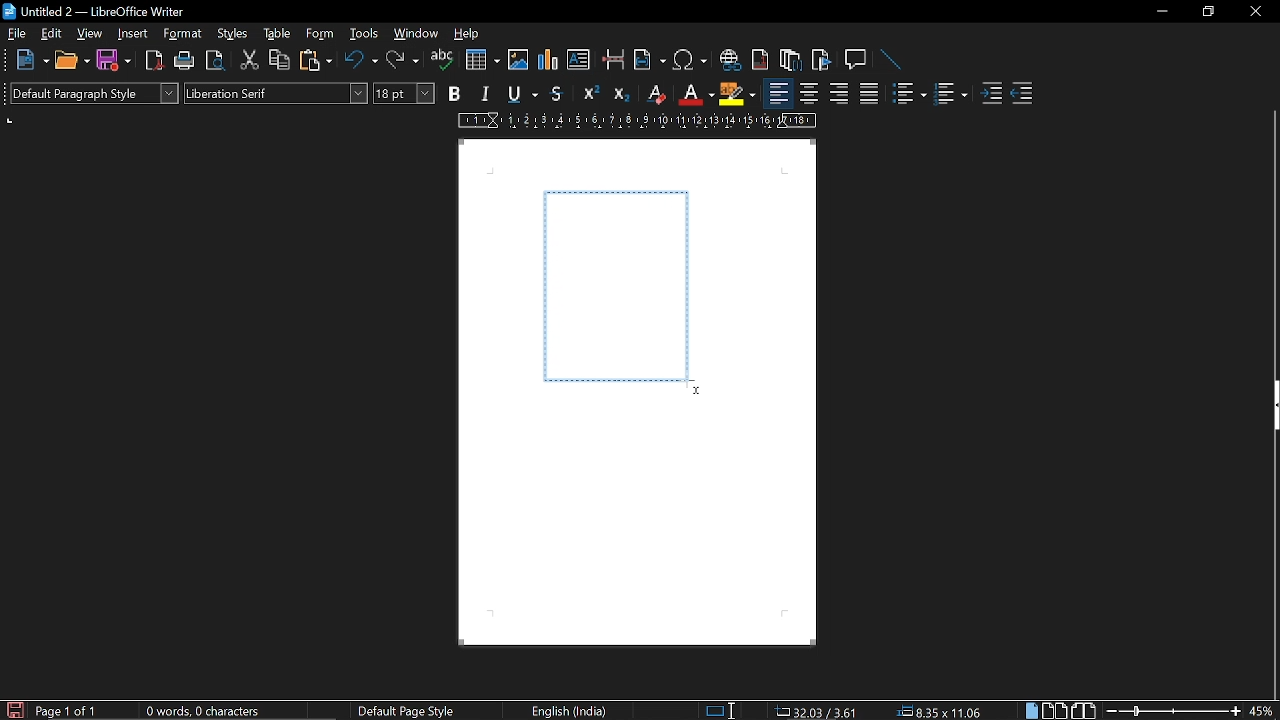 This screenshot has width=1280, height=720. Describe the element at coordinates (549, 60) in the screenshot. I see `insert chart` at that location.